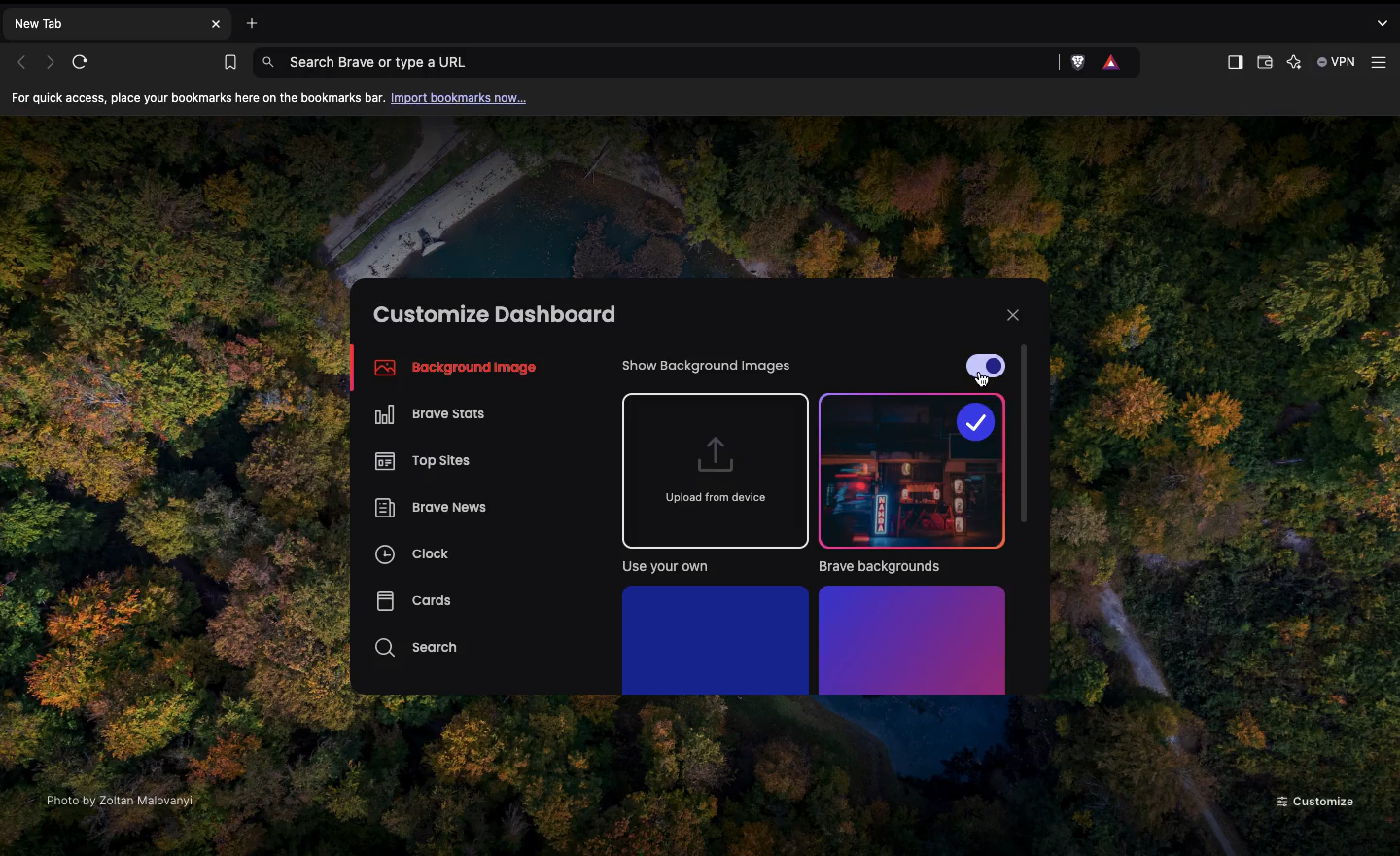 This screenshot has height=856, width=1400. I want to click on Search Brave or type a URL, so click(654, 61).